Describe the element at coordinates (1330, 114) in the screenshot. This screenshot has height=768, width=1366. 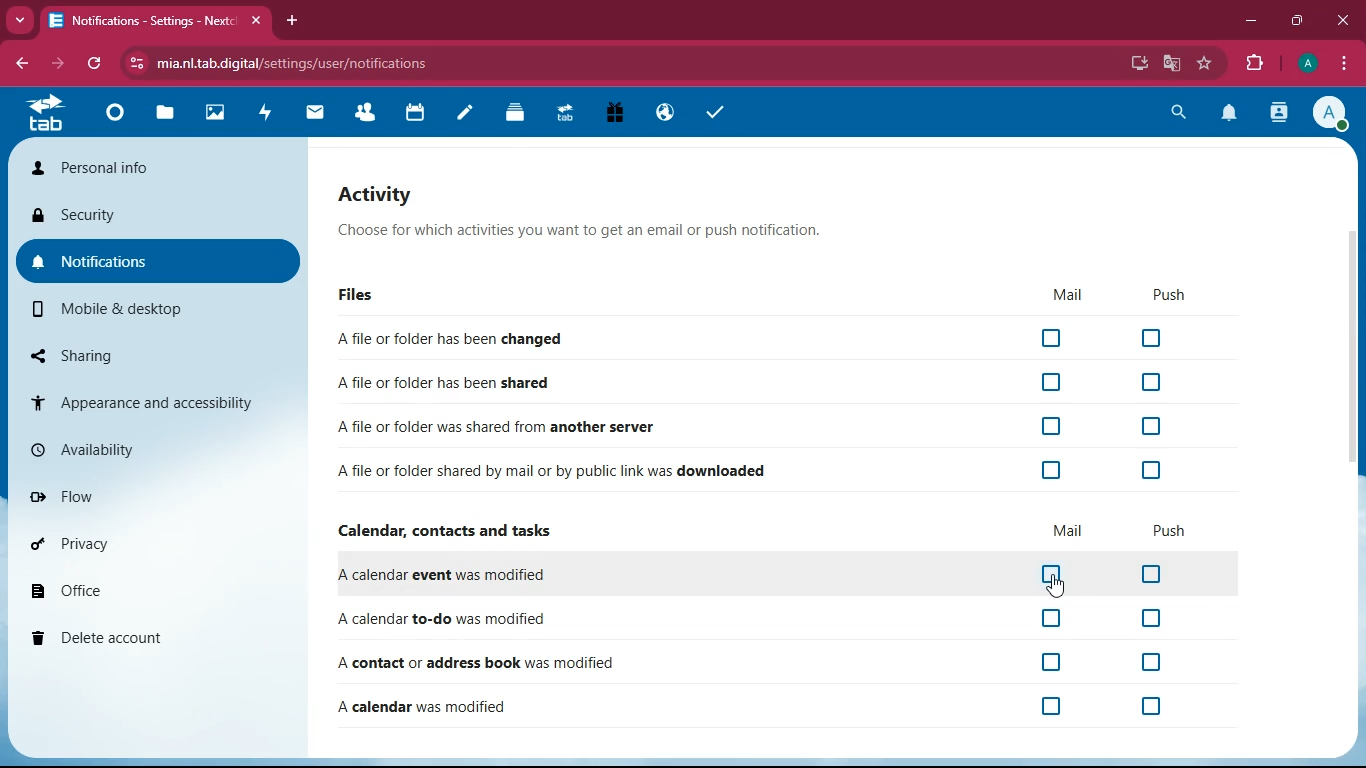
I see `profile` at that location.